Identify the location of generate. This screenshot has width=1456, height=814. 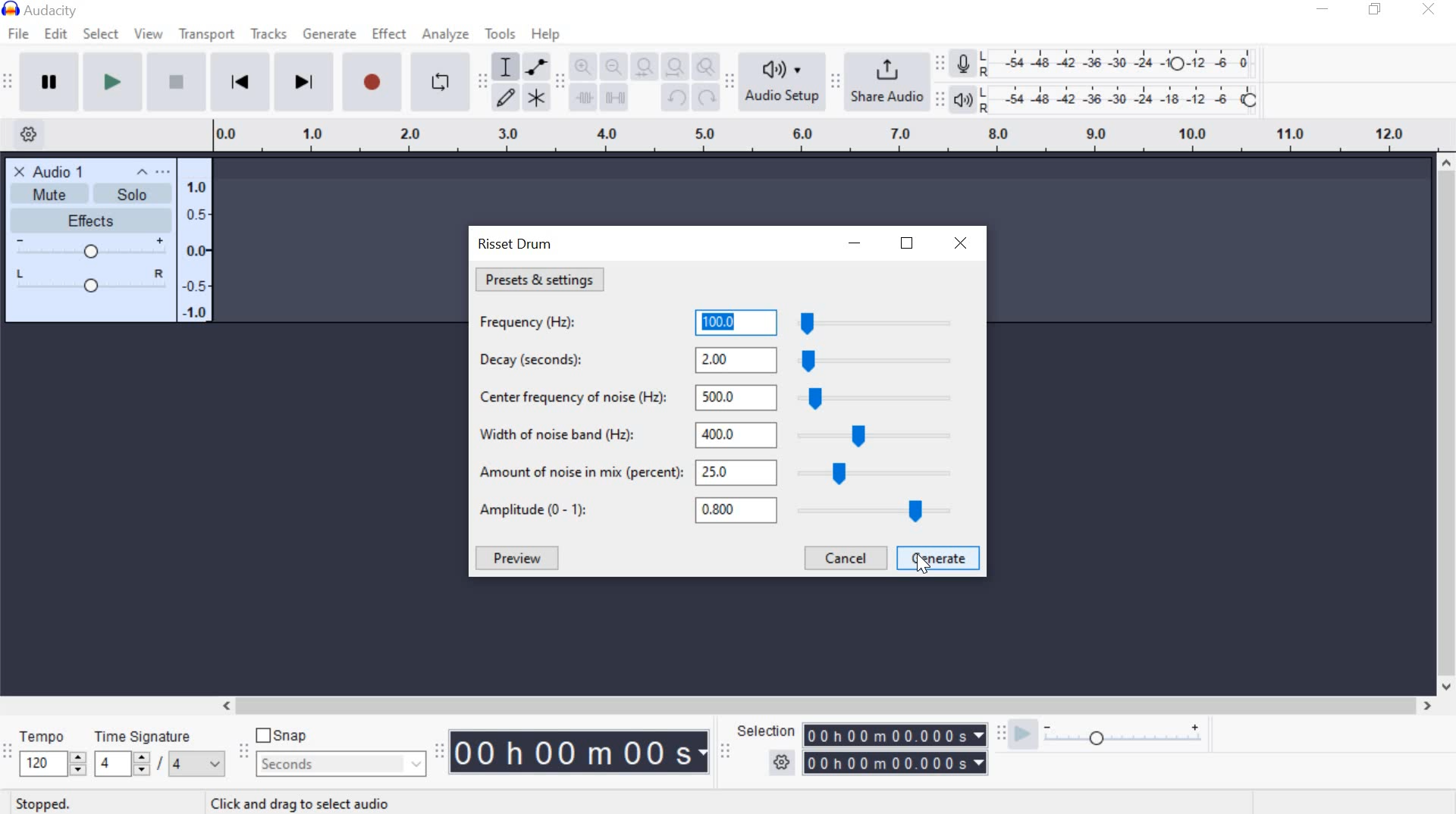
(328, 33).